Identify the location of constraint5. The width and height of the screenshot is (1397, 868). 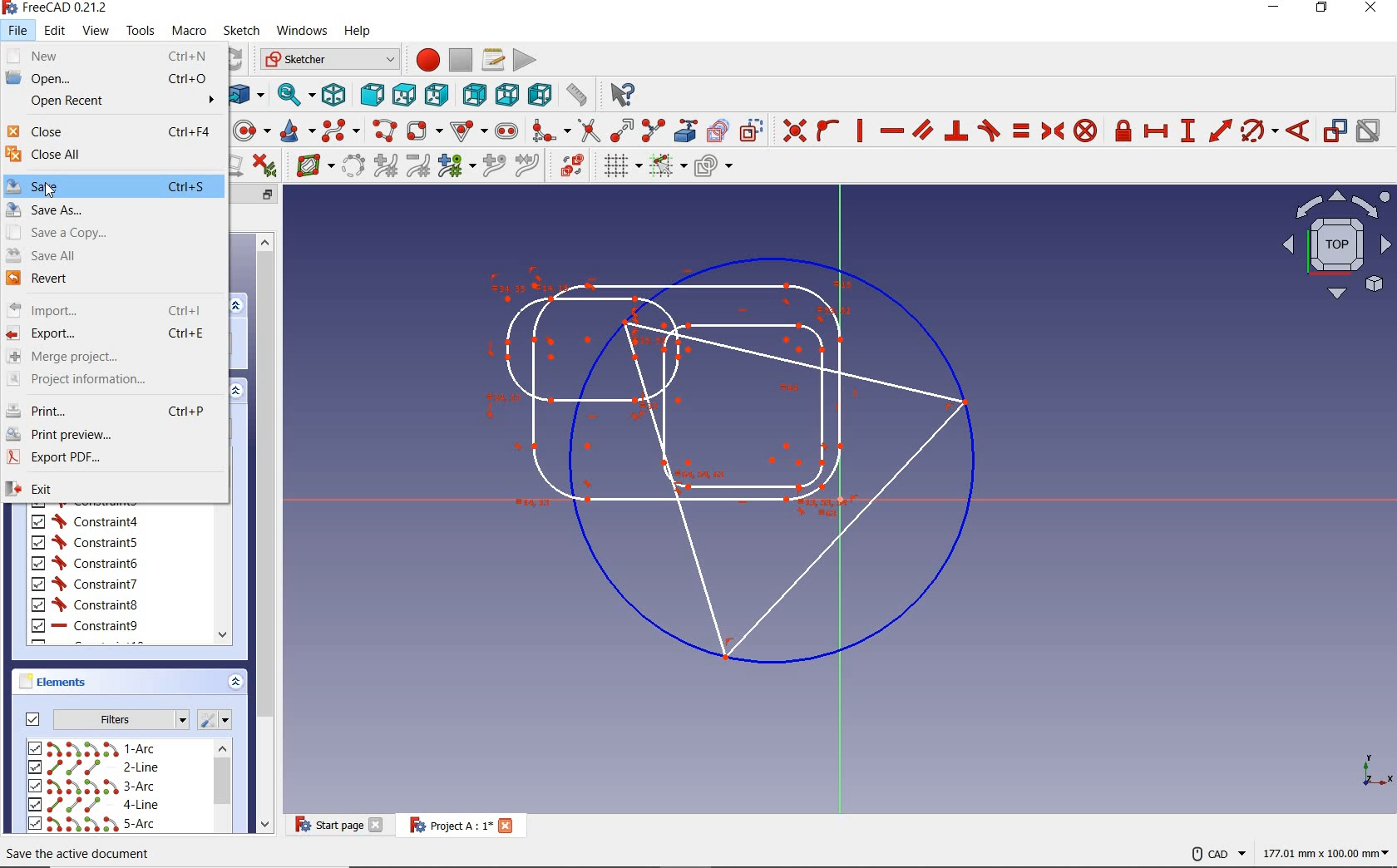
(84, 542).